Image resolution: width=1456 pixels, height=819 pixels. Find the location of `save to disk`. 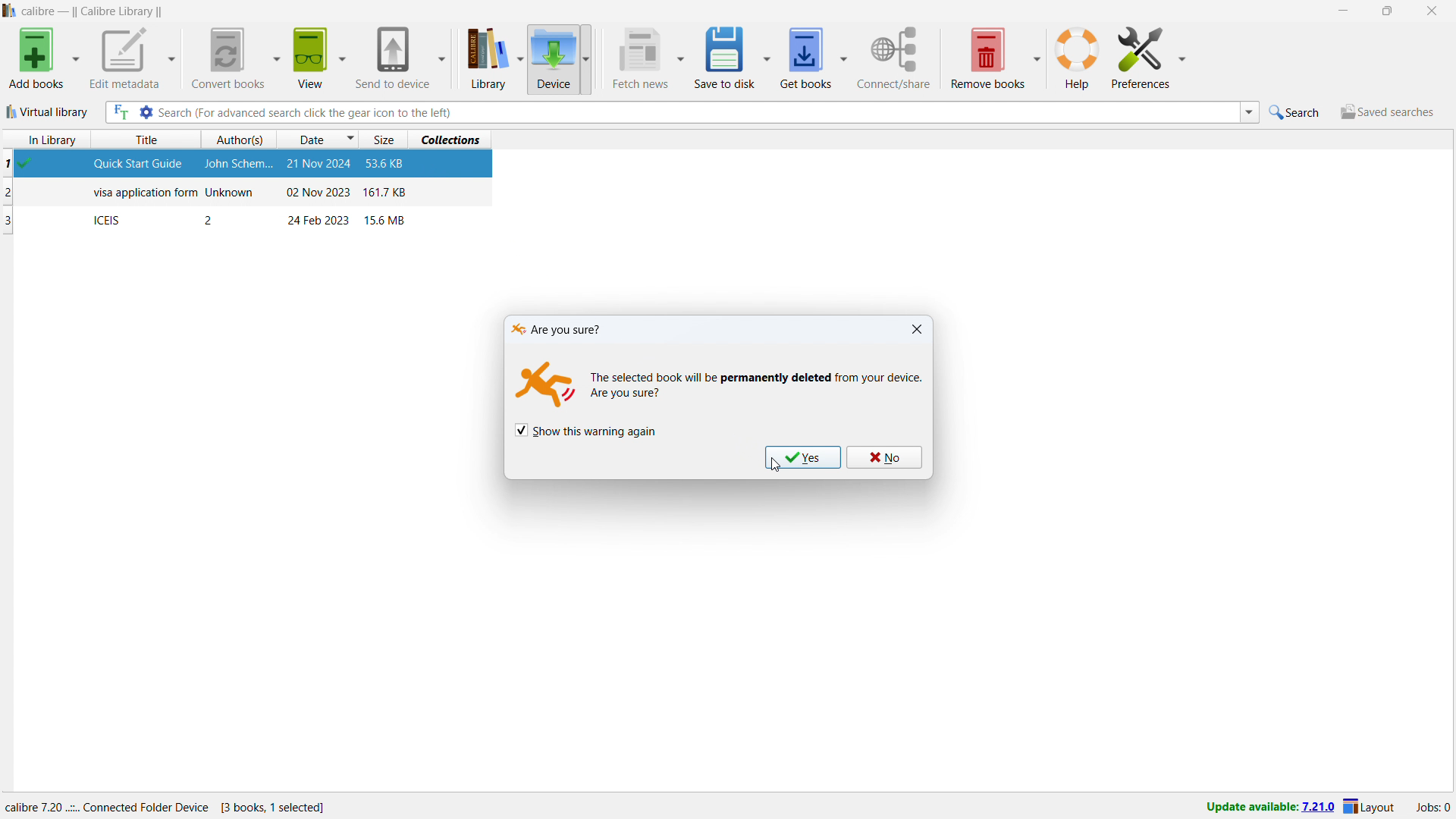

save to disk is located at coordinates (723, 57).